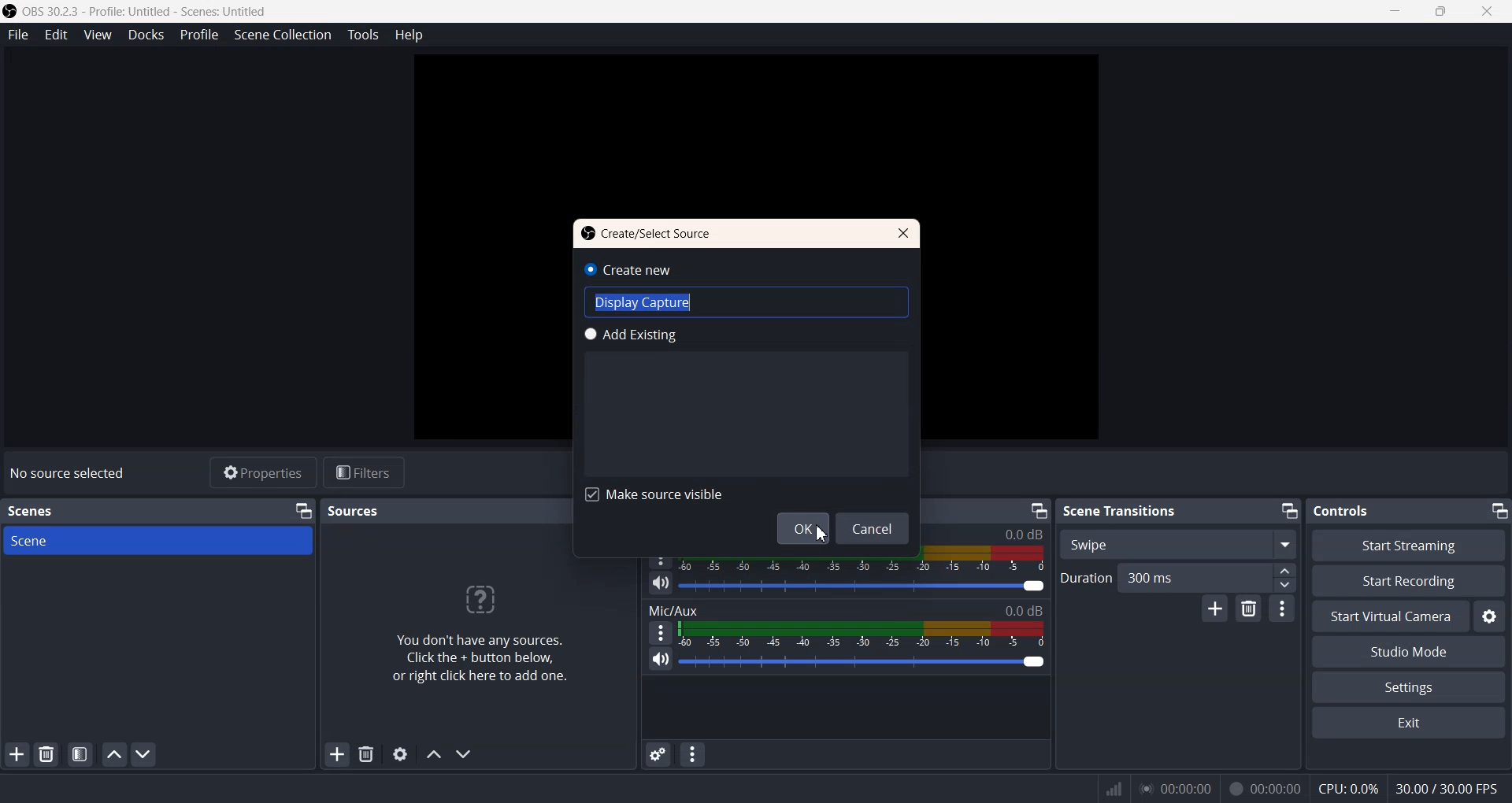 The height and width of the screenshot is (803, 1512). What do you see at coordinates (488, 625) in the screenshot?
I see `Text` at bounding box center [488, 625].